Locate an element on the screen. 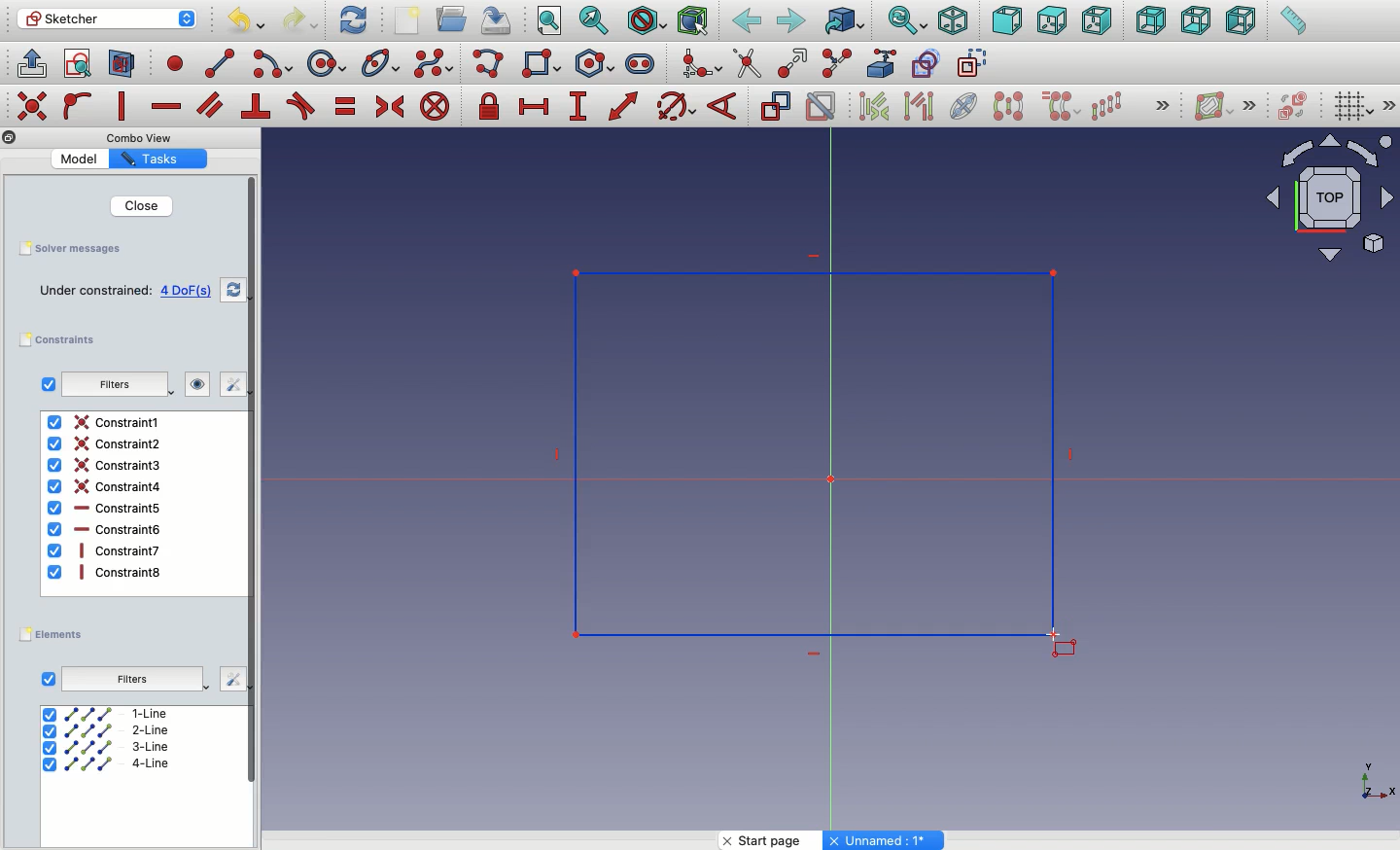  view sections is located at coordinates (126, 65).